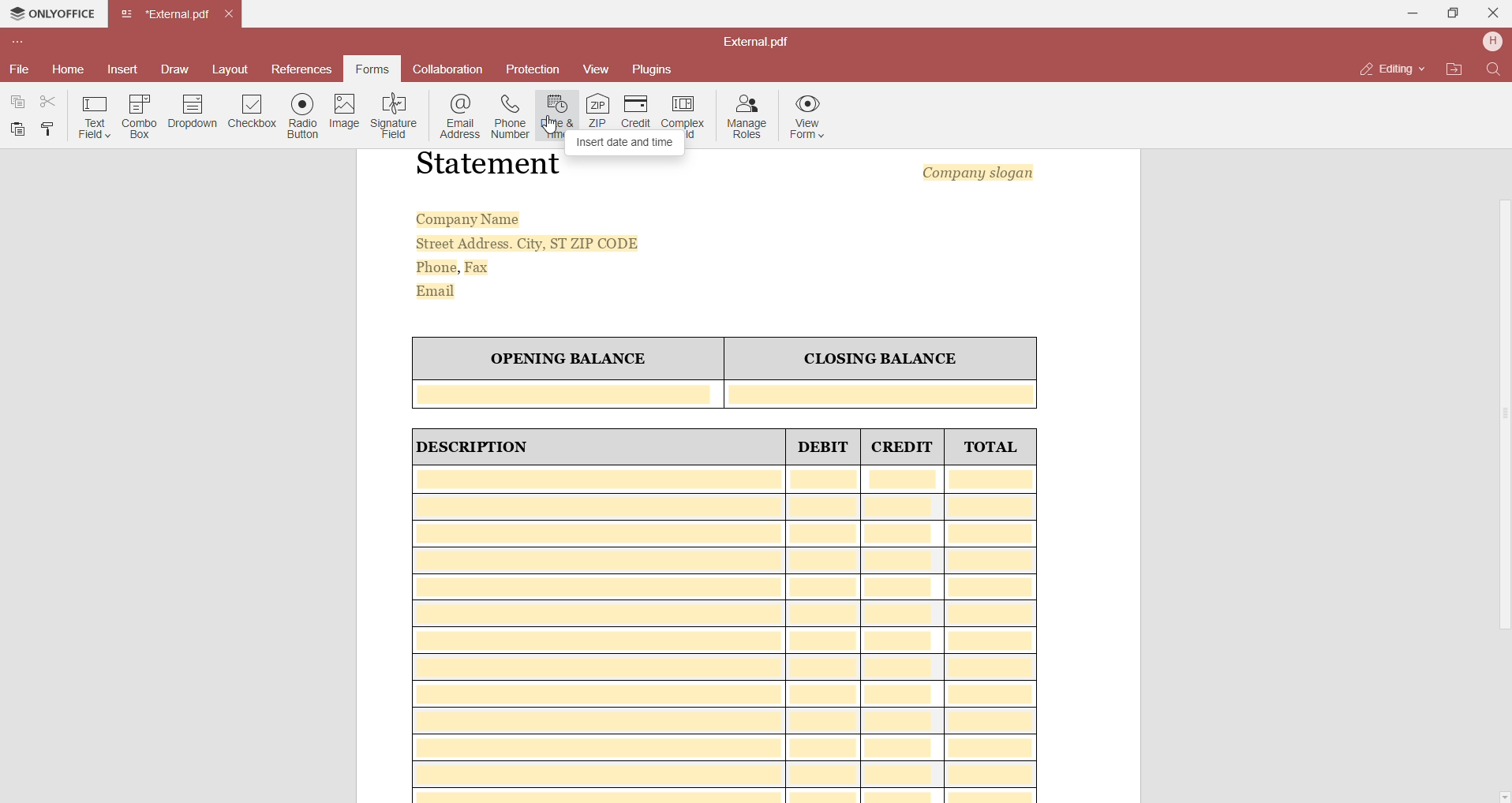 The height and width of the screenshot is (803, 1512). Describe the element at coordinates (628, 141) in the screenshot. I see `Insert date and time` at that location.